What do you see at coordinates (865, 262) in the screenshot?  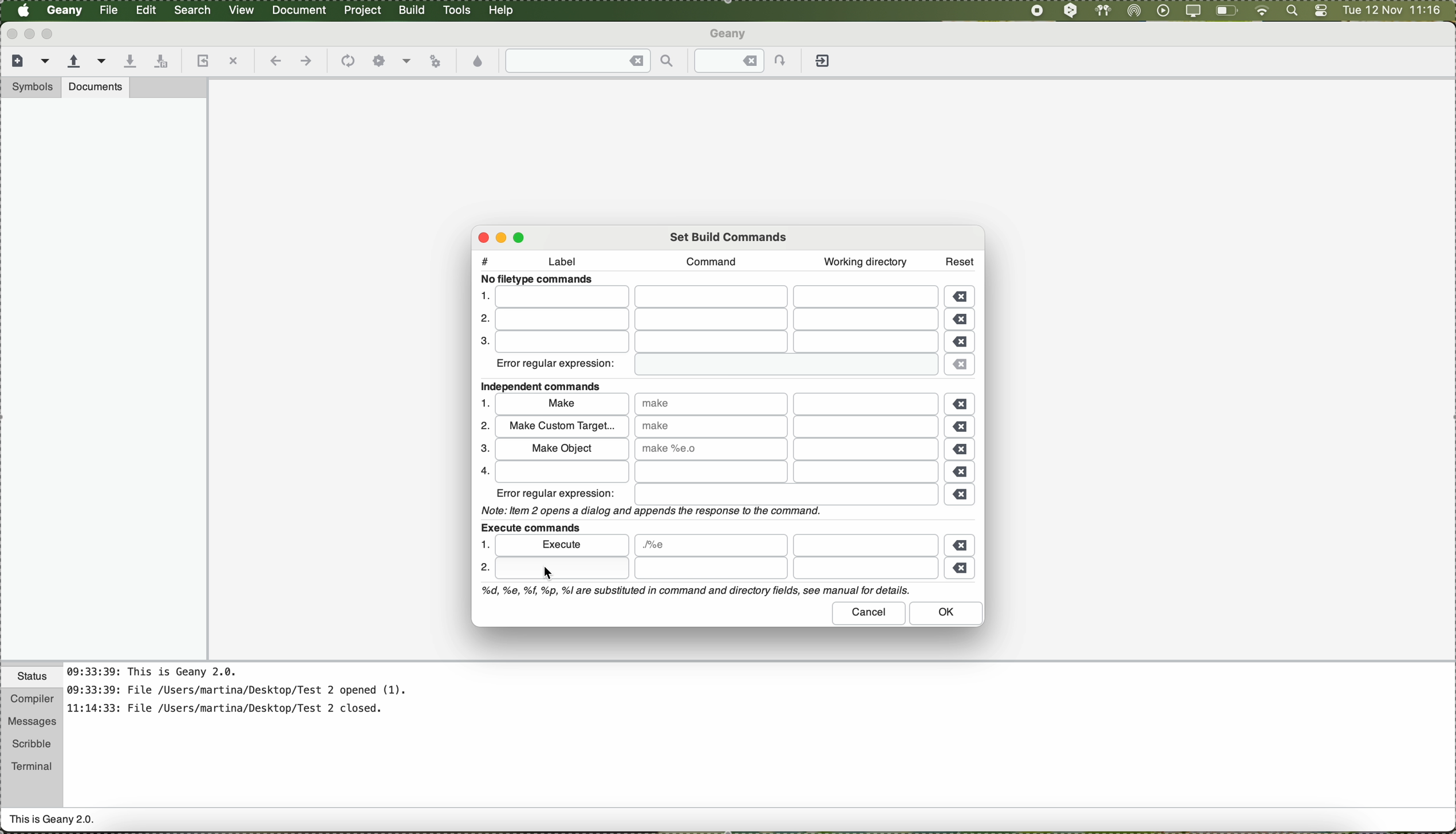 I see `working directory` at bounding box center [865, 262].